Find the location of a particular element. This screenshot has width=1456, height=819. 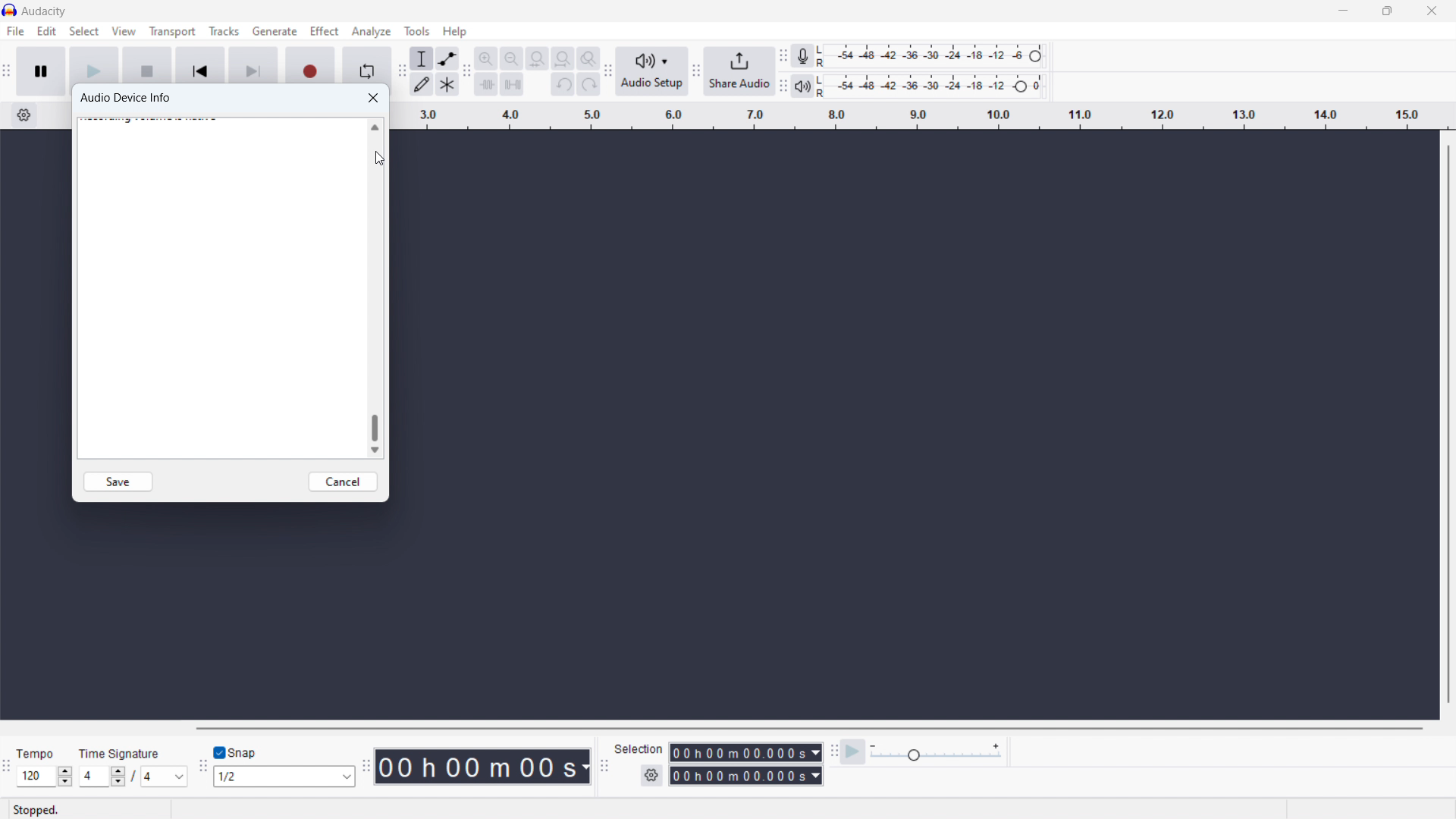

Tempo is located at coordinates (36, 753).